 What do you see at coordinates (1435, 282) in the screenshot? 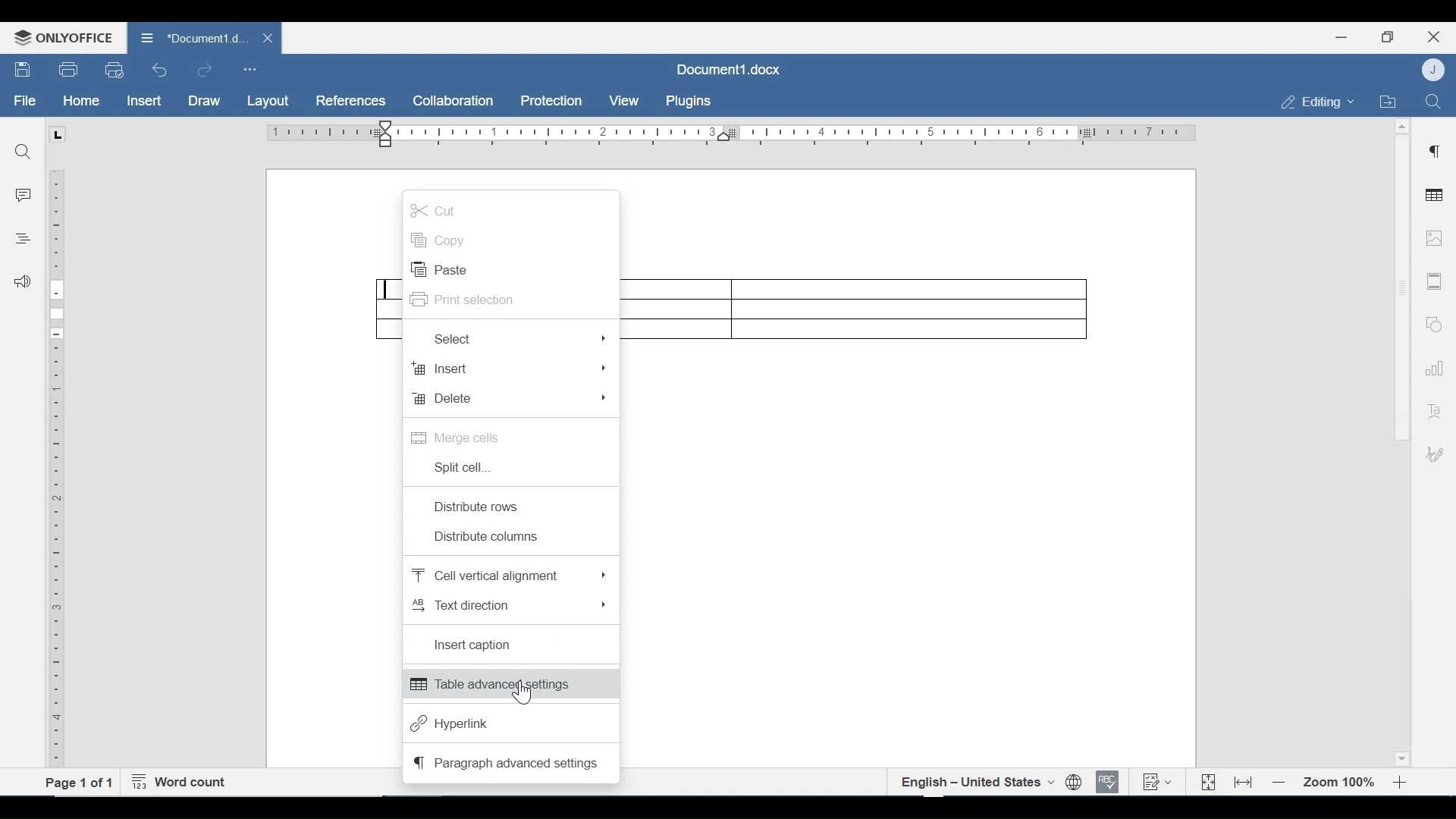
I see `Header and Footer` at bounding box center [1435, 282].